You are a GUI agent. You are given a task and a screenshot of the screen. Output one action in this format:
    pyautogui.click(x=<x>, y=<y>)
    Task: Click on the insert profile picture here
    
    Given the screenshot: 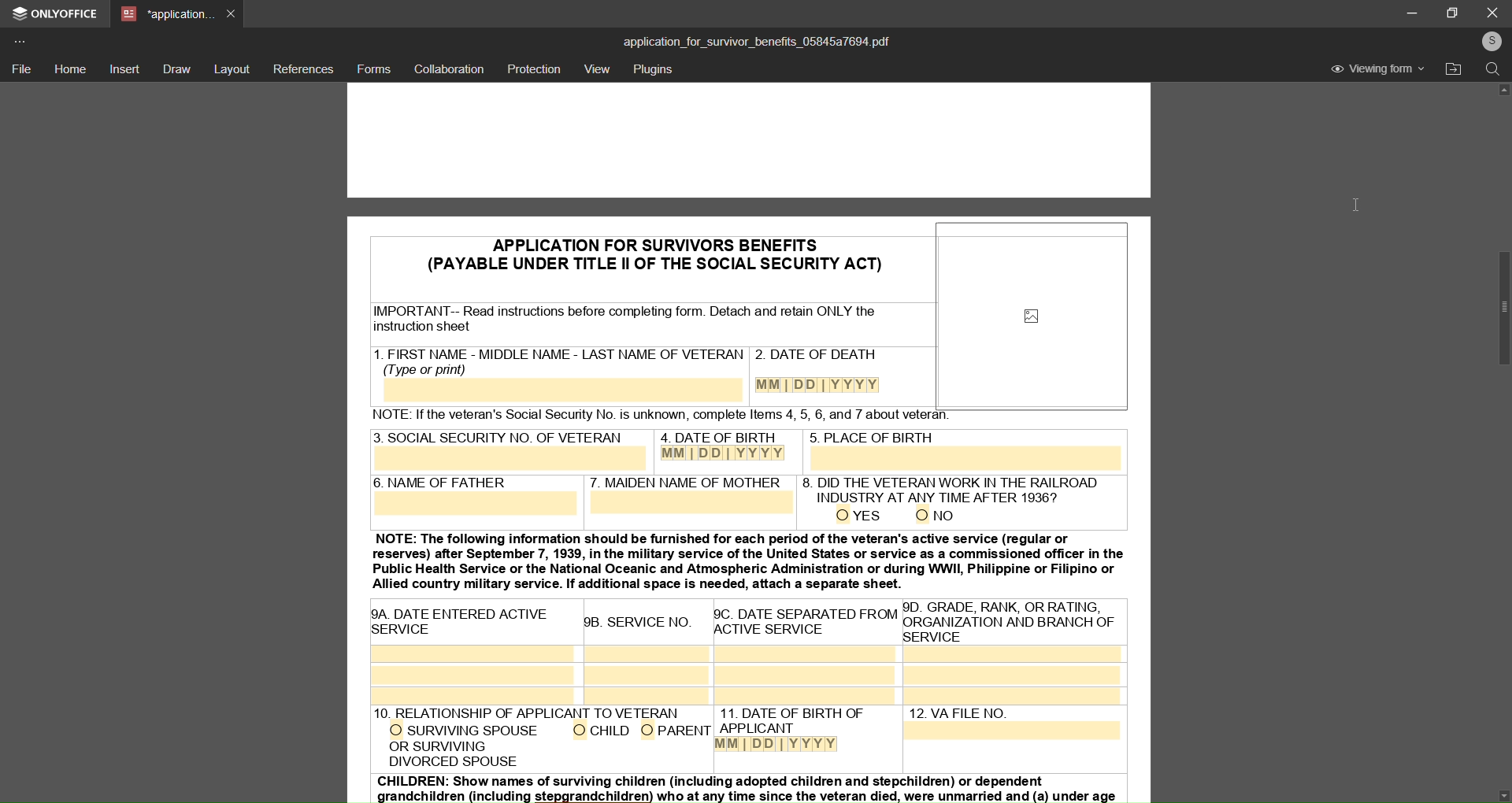 What is the action you would take?
    pyautogui.click(x=1036, y=313)
    